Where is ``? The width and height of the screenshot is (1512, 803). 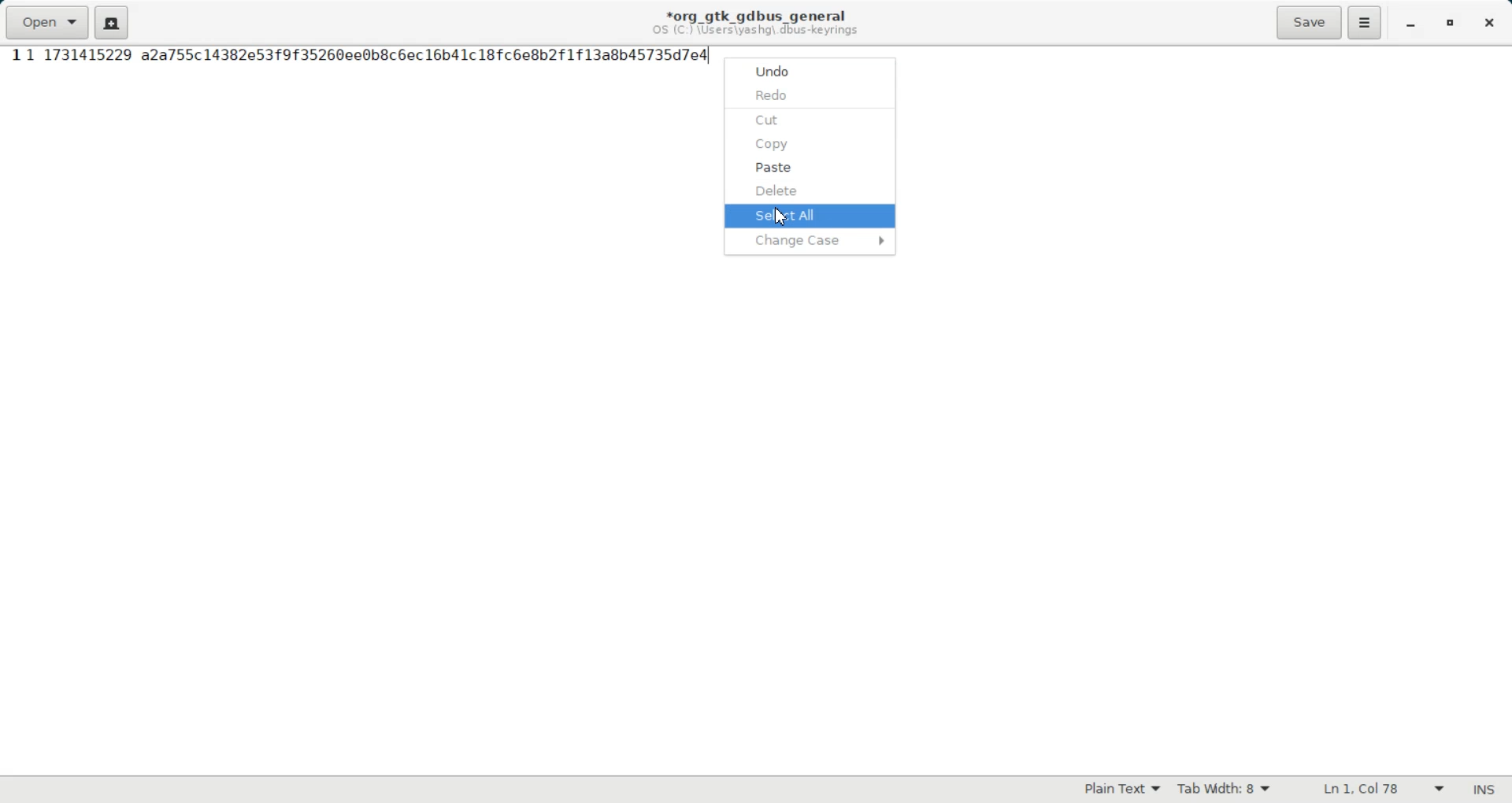
 is located at coordinates (2246, 620).